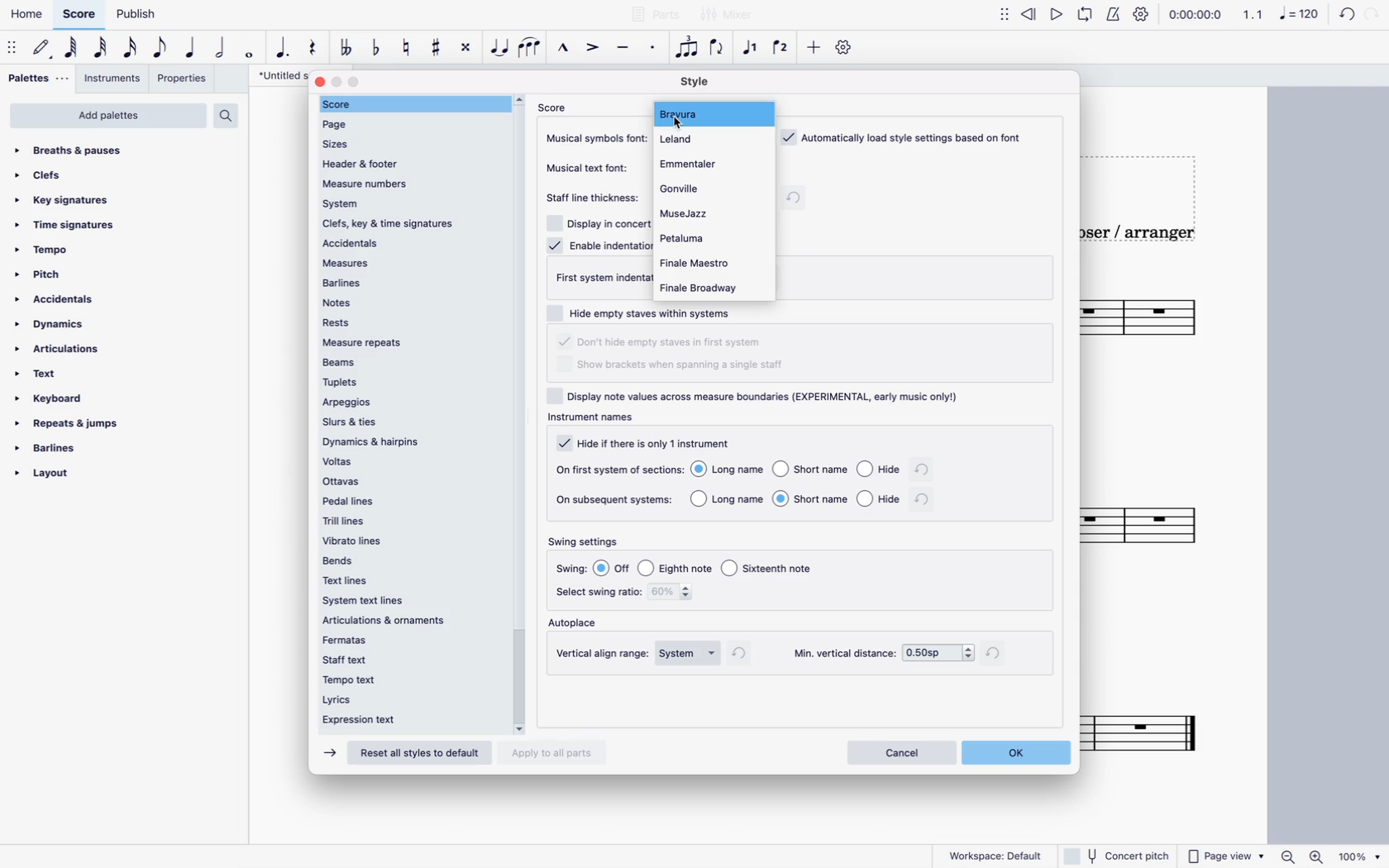 The width and height of the screenshot is (1389, 868). What do you see at coordinates (408, 658) in the screenshot?
I see `staff text` at bounding box center [408, 658].